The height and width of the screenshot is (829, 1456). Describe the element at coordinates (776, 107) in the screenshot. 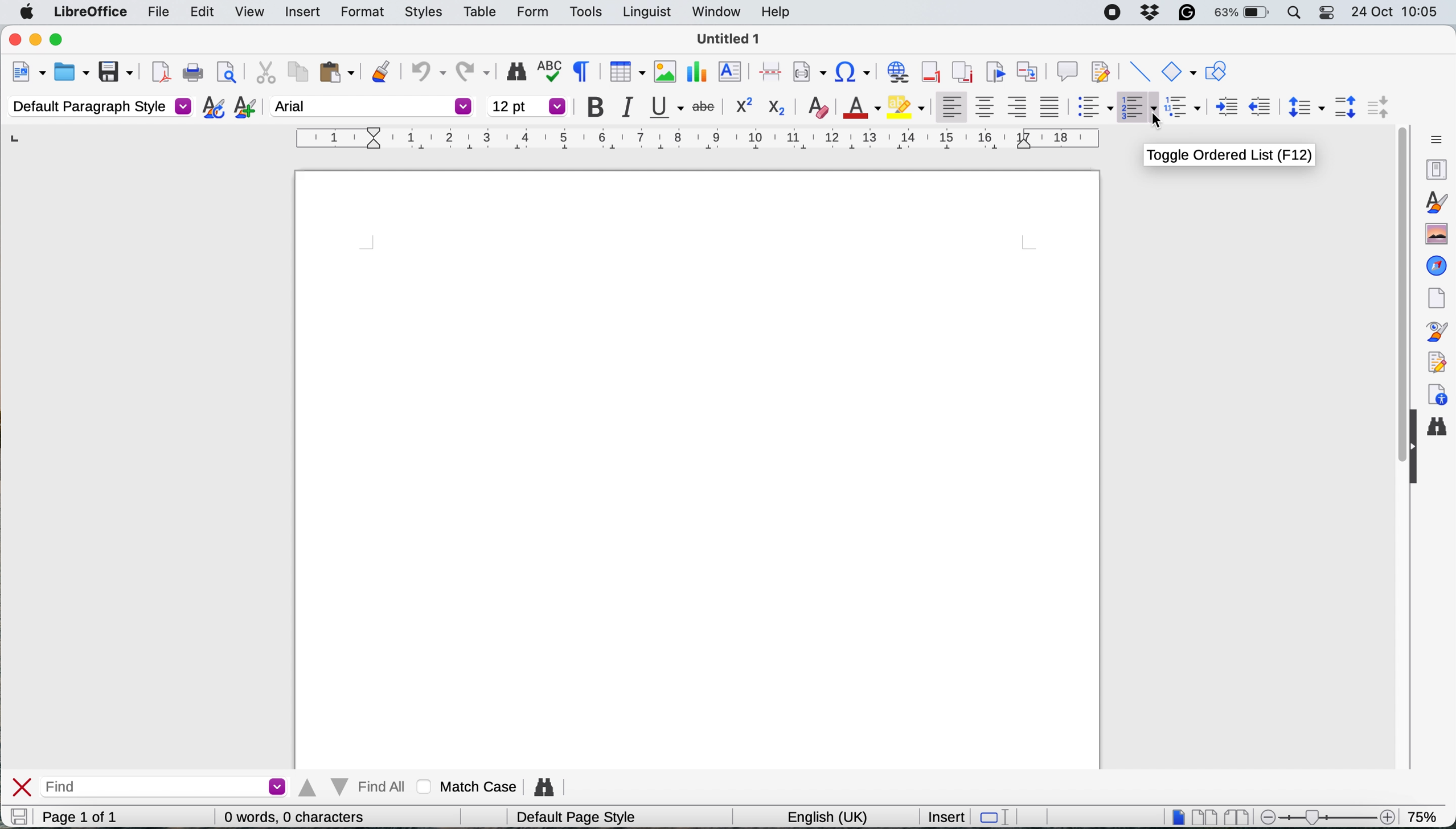

I see `subscript` at that location.